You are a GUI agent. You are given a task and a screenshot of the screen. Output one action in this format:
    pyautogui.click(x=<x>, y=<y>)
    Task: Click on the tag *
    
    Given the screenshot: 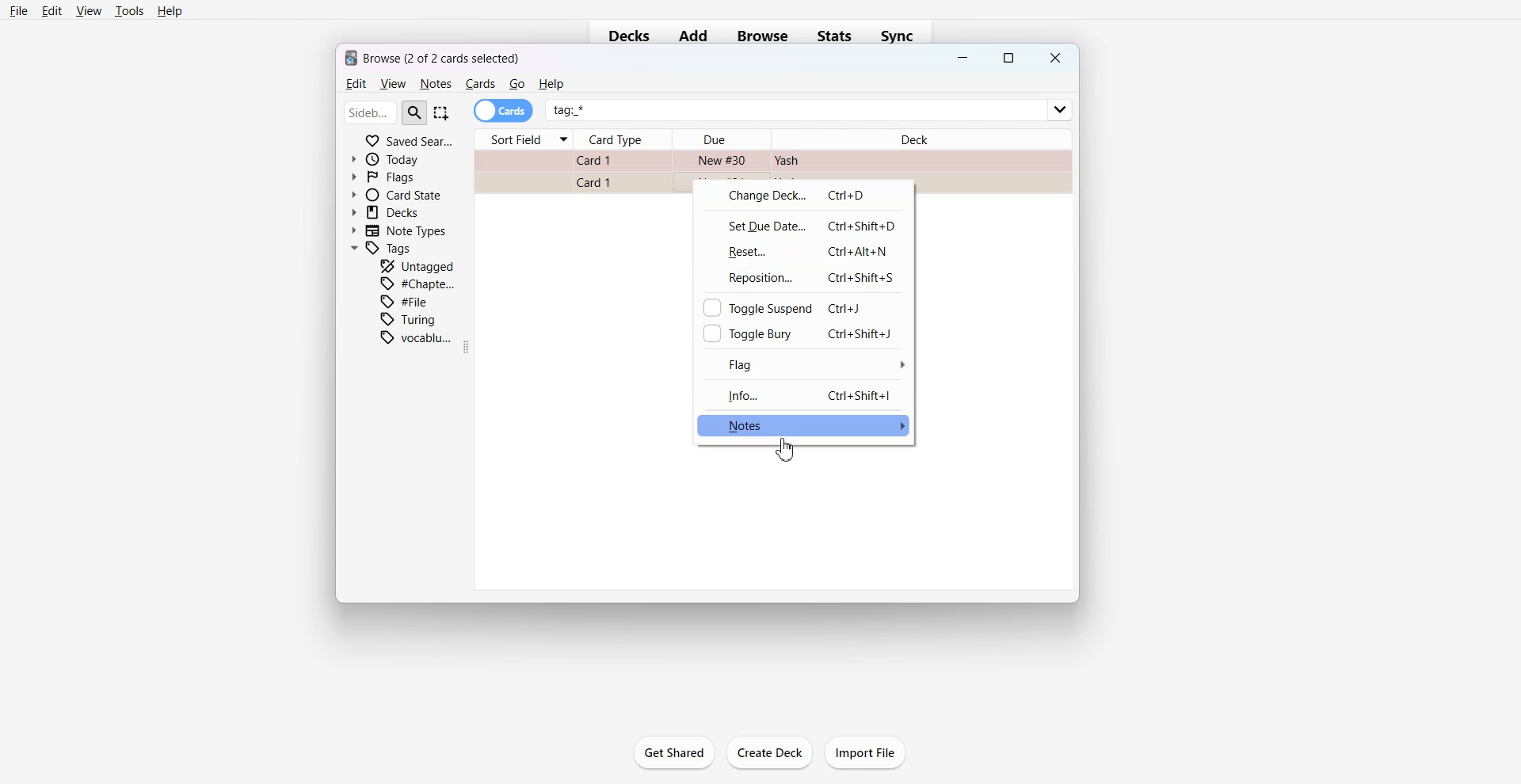 What is the action you would take?
    pyautogui.click(x=810, y=104)
    